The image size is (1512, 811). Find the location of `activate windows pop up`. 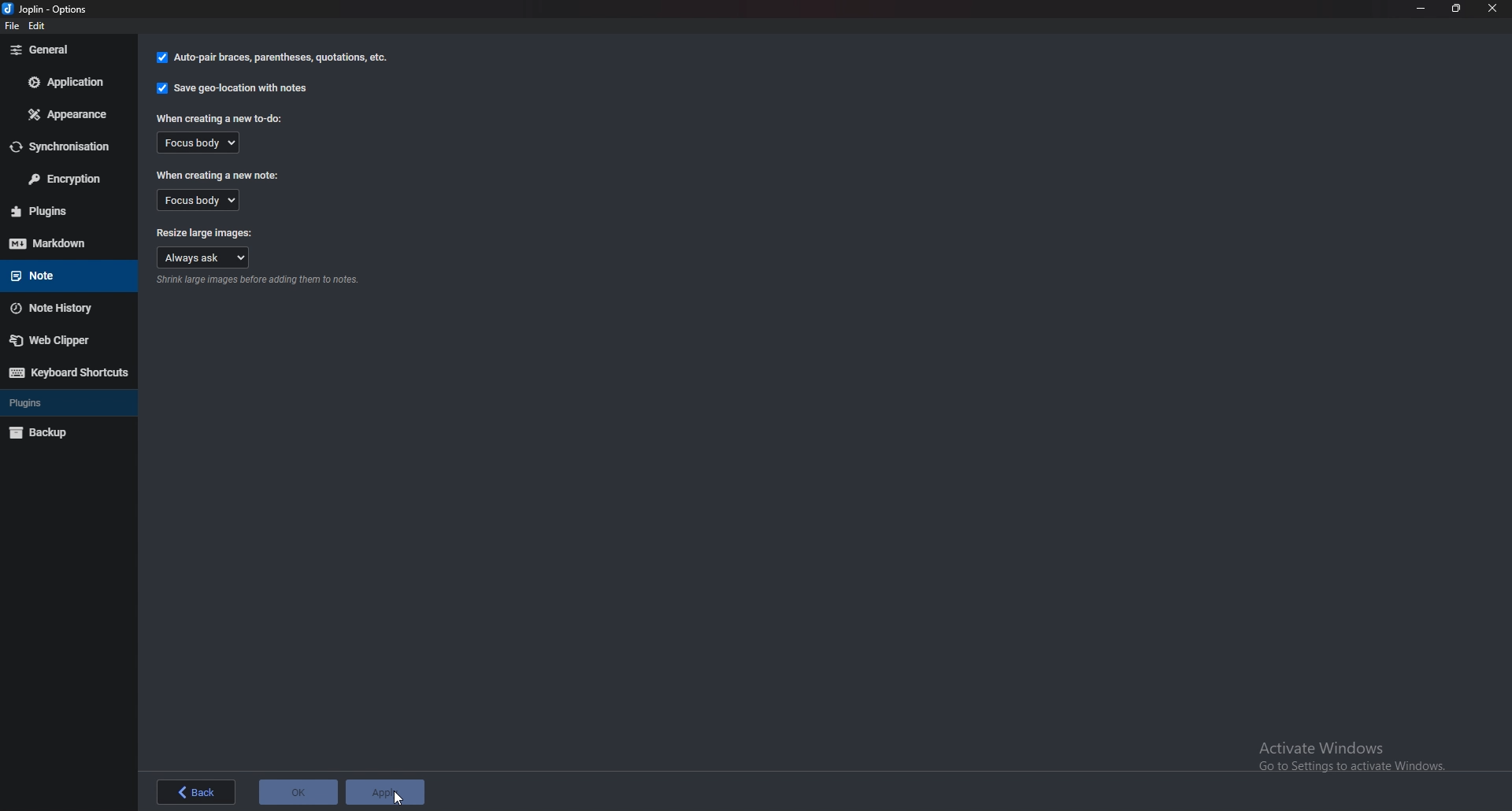

activate windows pop up is located at coordinates (1351, 757).